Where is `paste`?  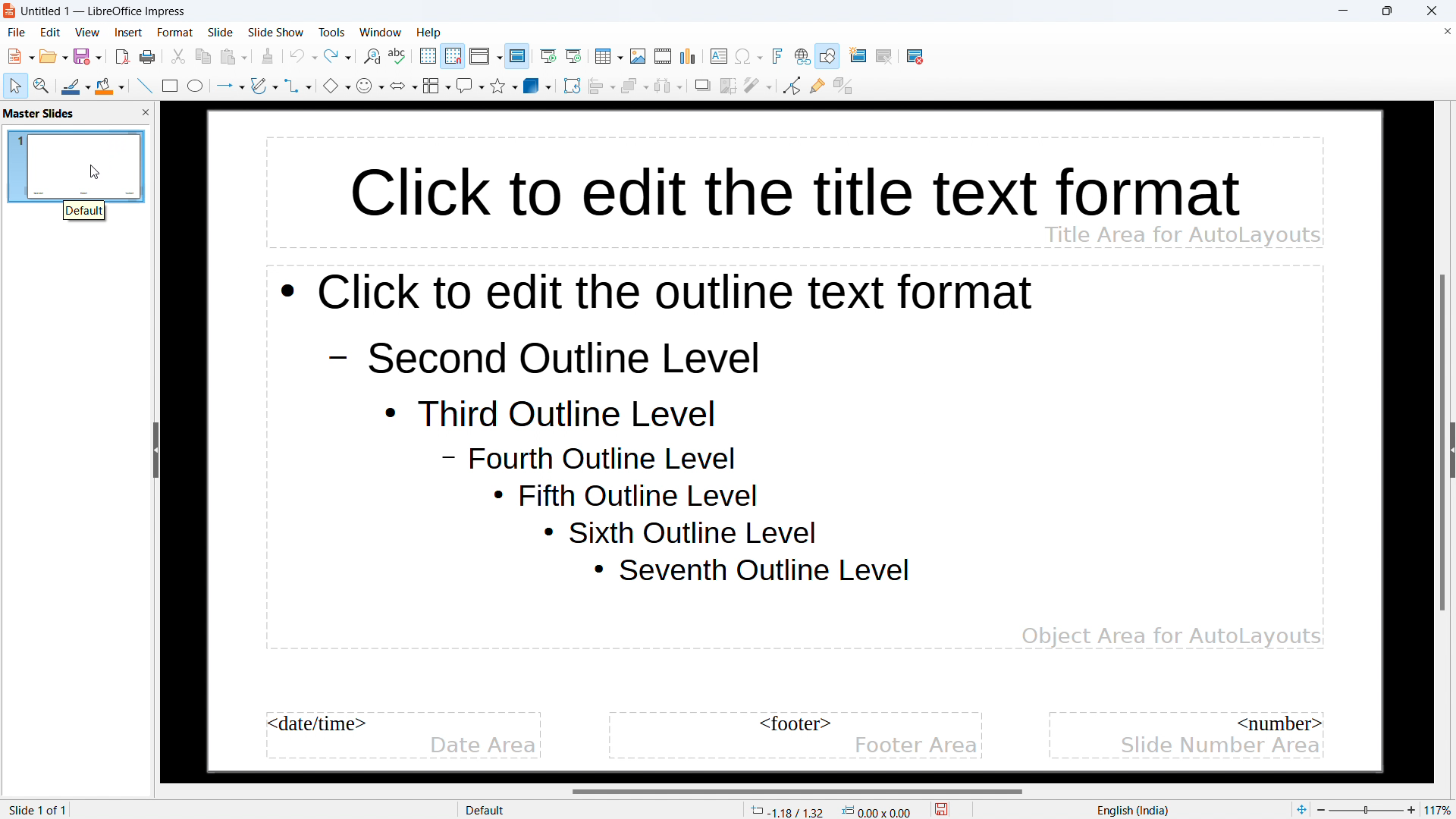 paste is located at coordinates (233, 57).